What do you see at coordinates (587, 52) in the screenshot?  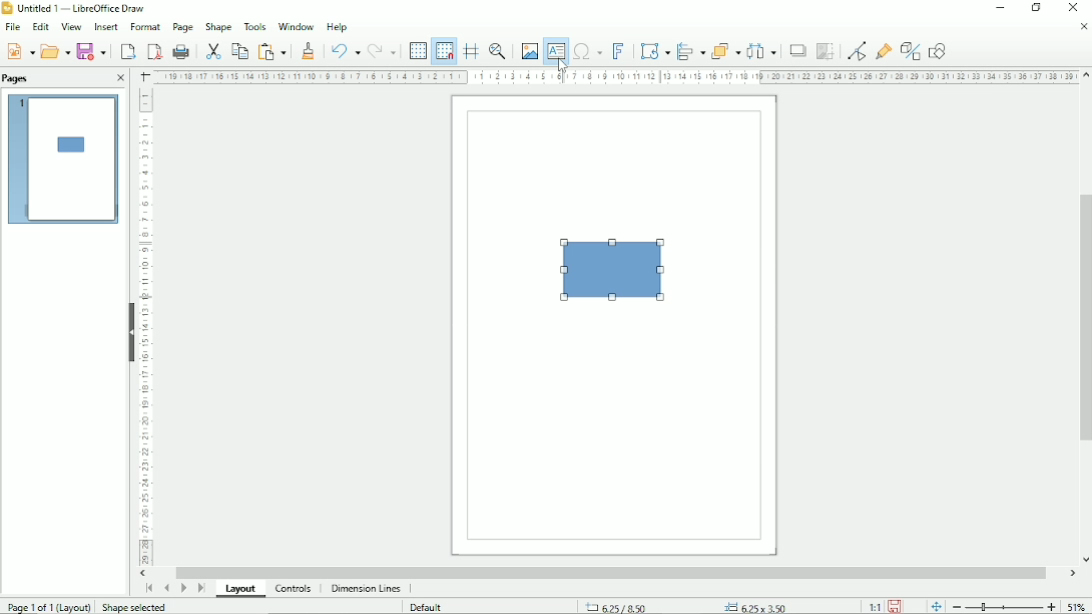 I see `Insert special characters` at bounding box center [587, 52].